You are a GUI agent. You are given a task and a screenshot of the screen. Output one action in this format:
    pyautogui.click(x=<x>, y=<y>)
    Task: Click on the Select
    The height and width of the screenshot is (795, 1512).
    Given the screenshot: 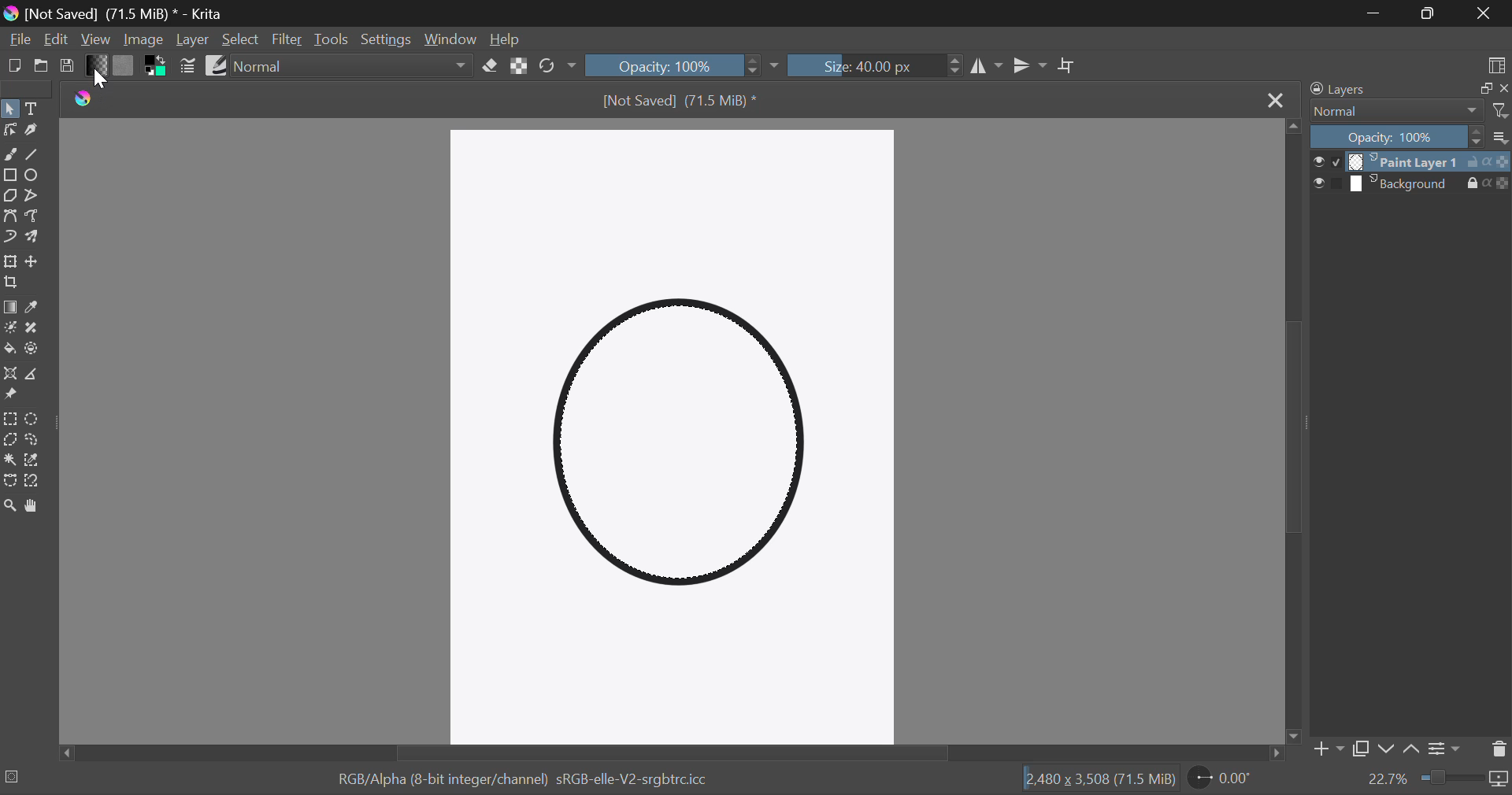 What is the action you would take?
    pyautogui.click(x=10, y=109)
    